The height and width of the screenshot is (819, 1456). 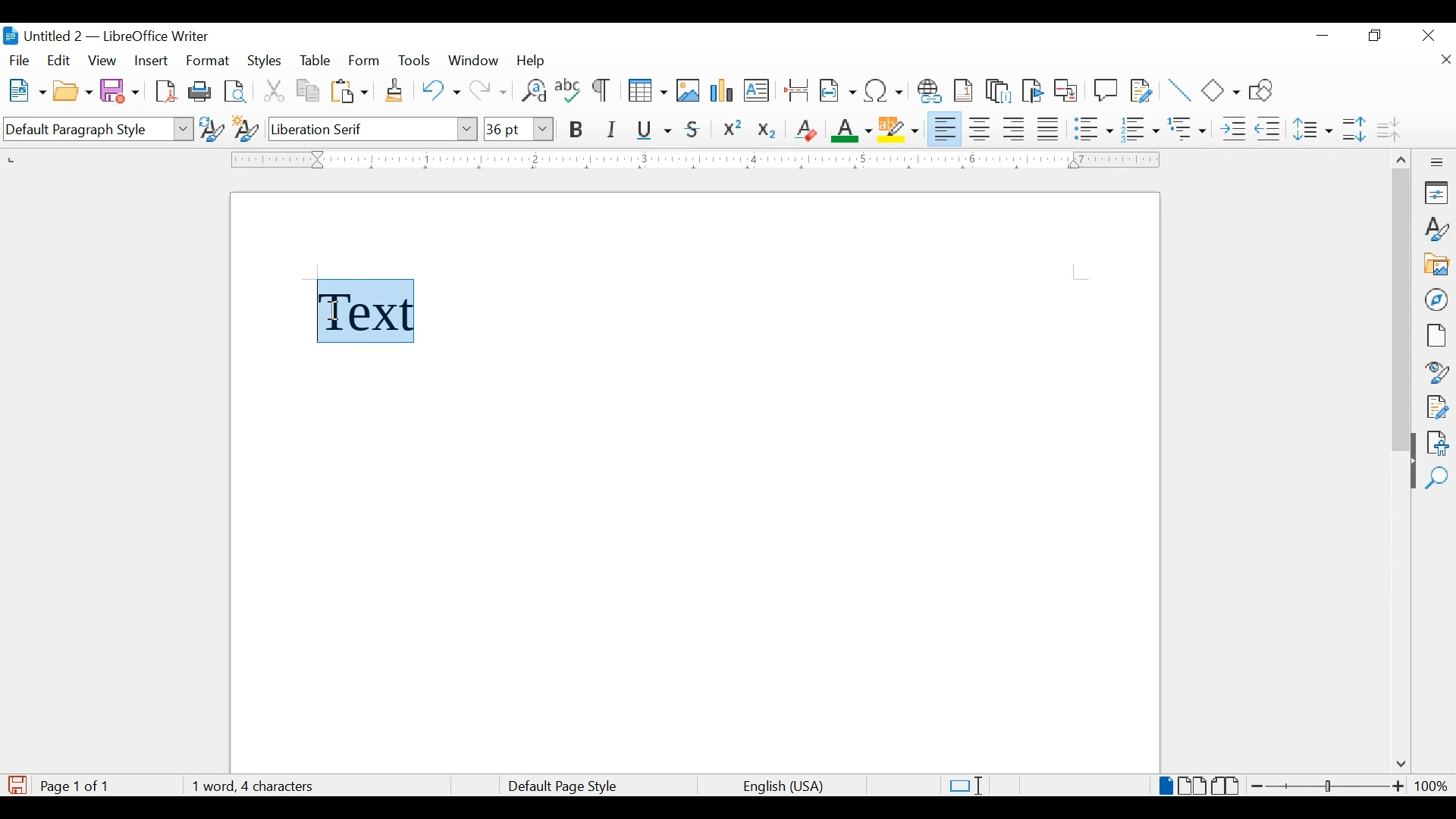 What do you see at coordinates (1140, 128) in the screenshot?
I see `toggle ordered list` at bounding box center [1140, 128].